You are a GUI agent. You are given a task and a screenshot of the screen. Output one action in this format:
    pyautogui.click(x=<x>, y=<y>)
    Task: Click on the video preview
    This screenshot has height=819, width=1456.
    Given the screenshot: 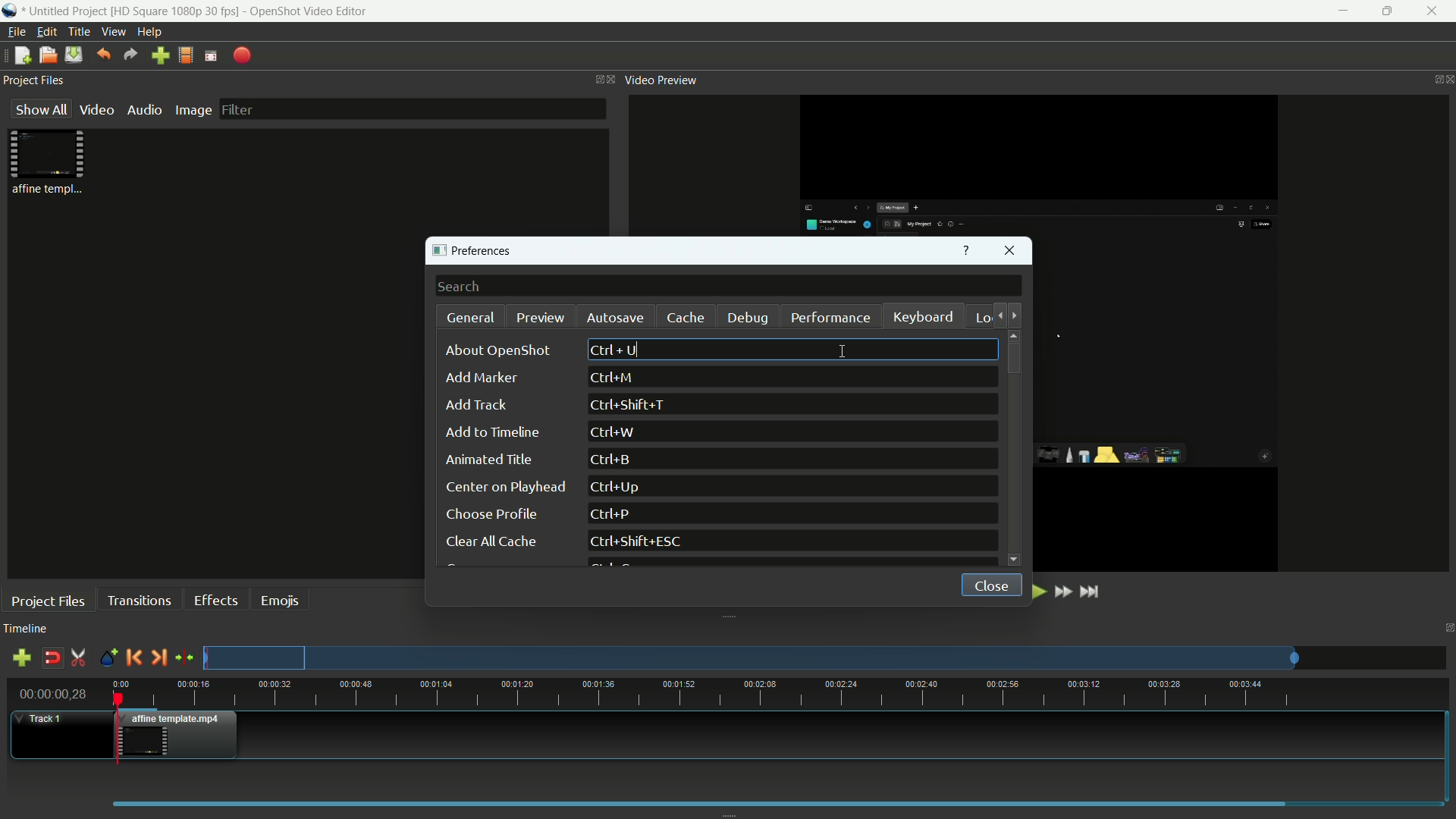 What is the action you would take?
    pyautogui.click(x=662, y=80)
    